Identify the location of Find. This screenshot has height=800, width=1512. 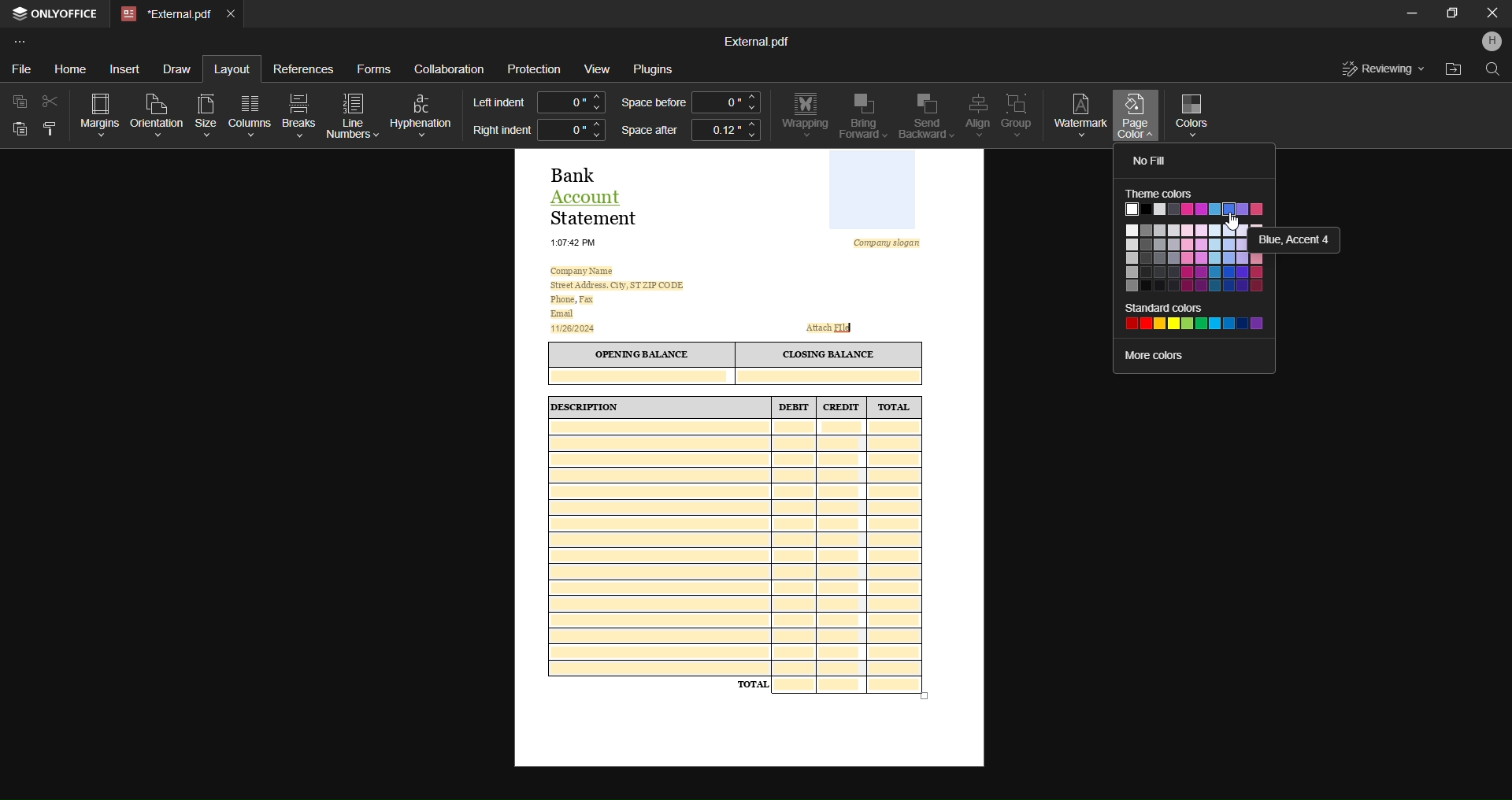
(1493, 72).